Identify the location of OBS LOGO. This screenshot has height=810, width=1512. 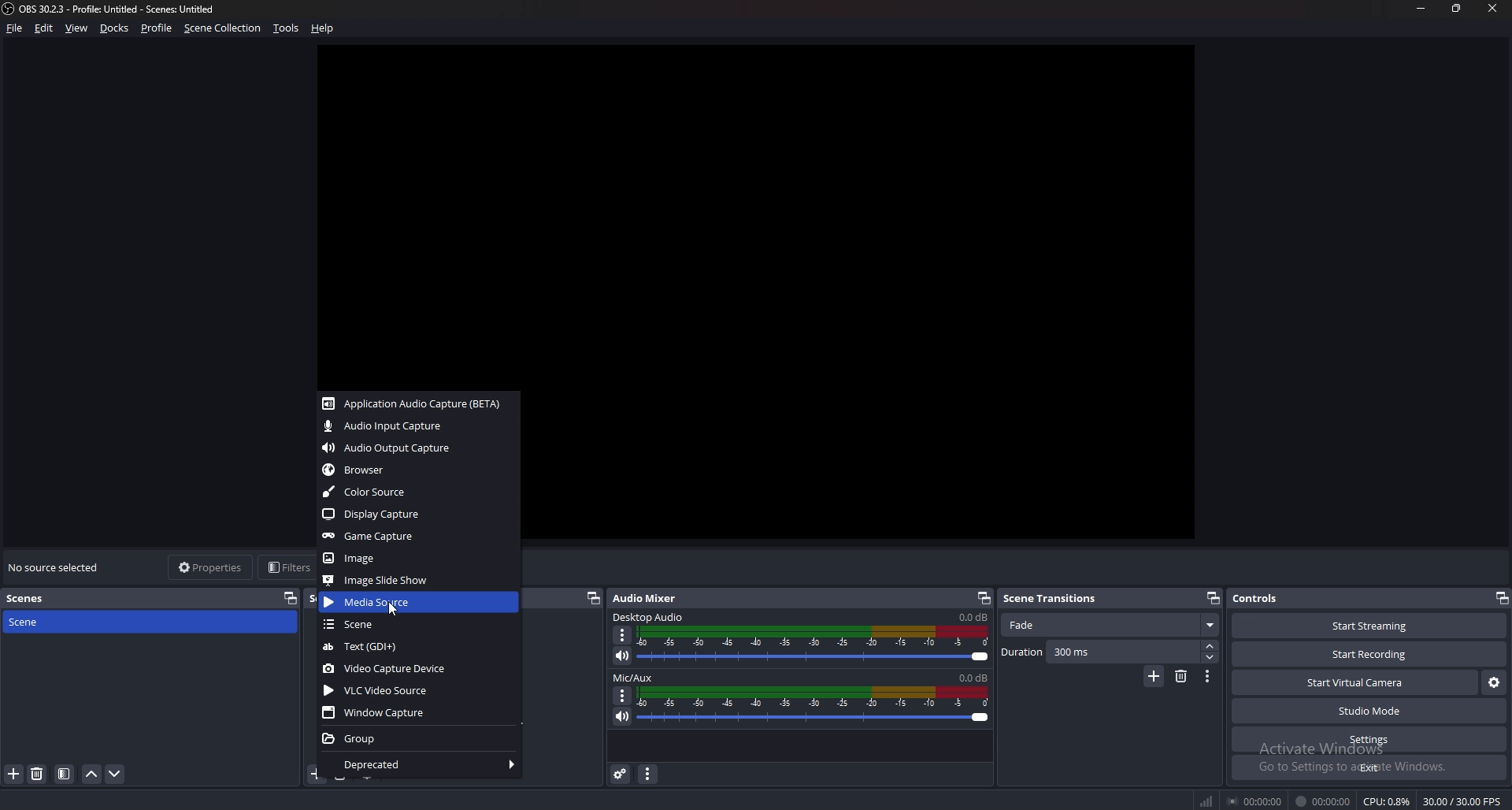
(9, 9).